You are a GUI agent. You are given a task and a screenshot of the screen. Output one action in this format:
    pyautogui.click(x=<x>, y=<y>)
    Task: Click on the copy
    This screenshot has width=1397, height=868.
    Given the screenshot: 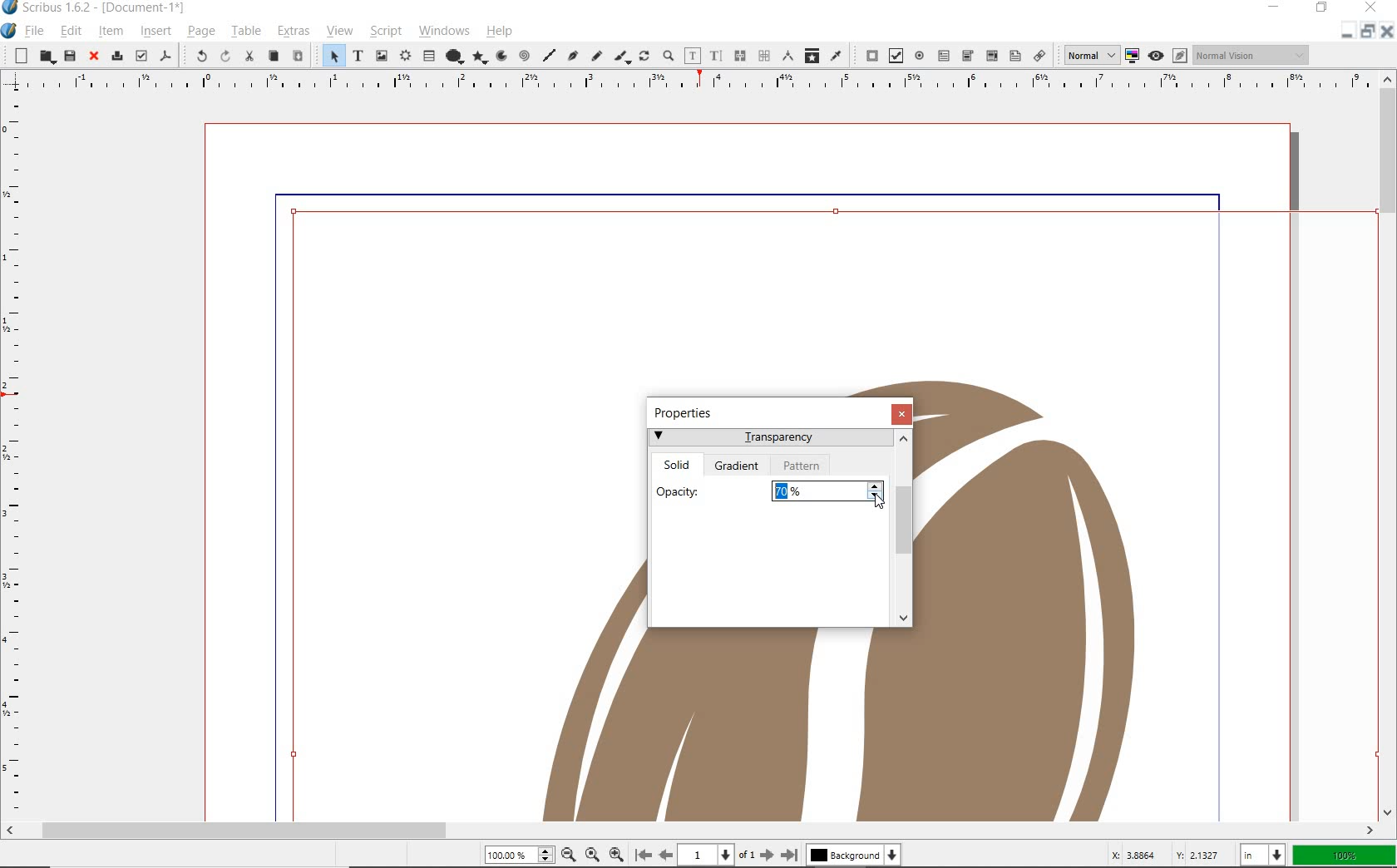 What is the action you would take?
    pyautogui.click(x=274, y=56)
    